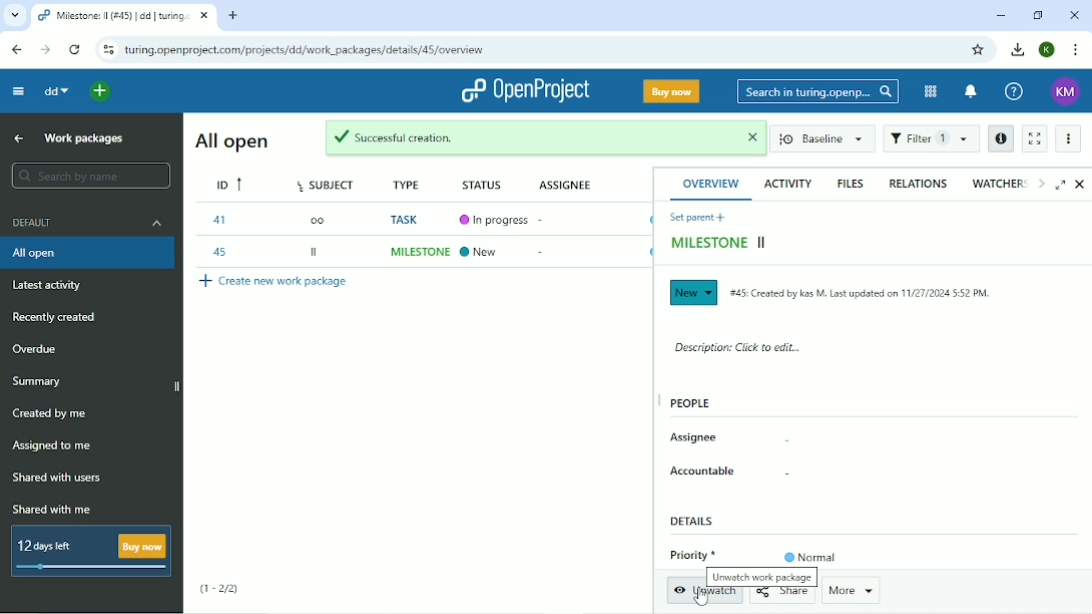  Describe the element at coordinates (999, 183) in the screenshot. I see `Watchers` at that location.